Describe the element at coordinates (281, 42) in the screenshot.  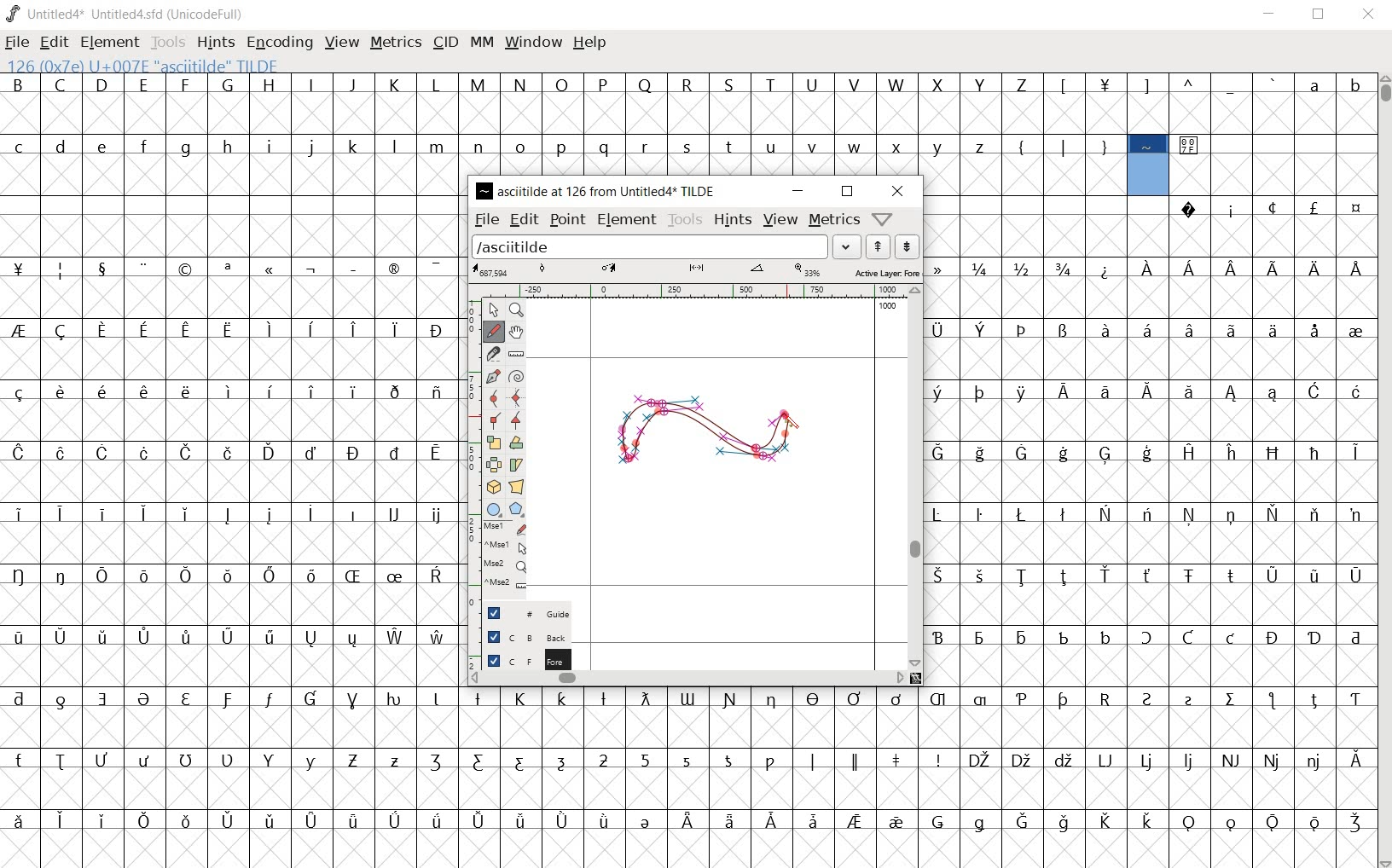
I see `ENCODING` at that location.